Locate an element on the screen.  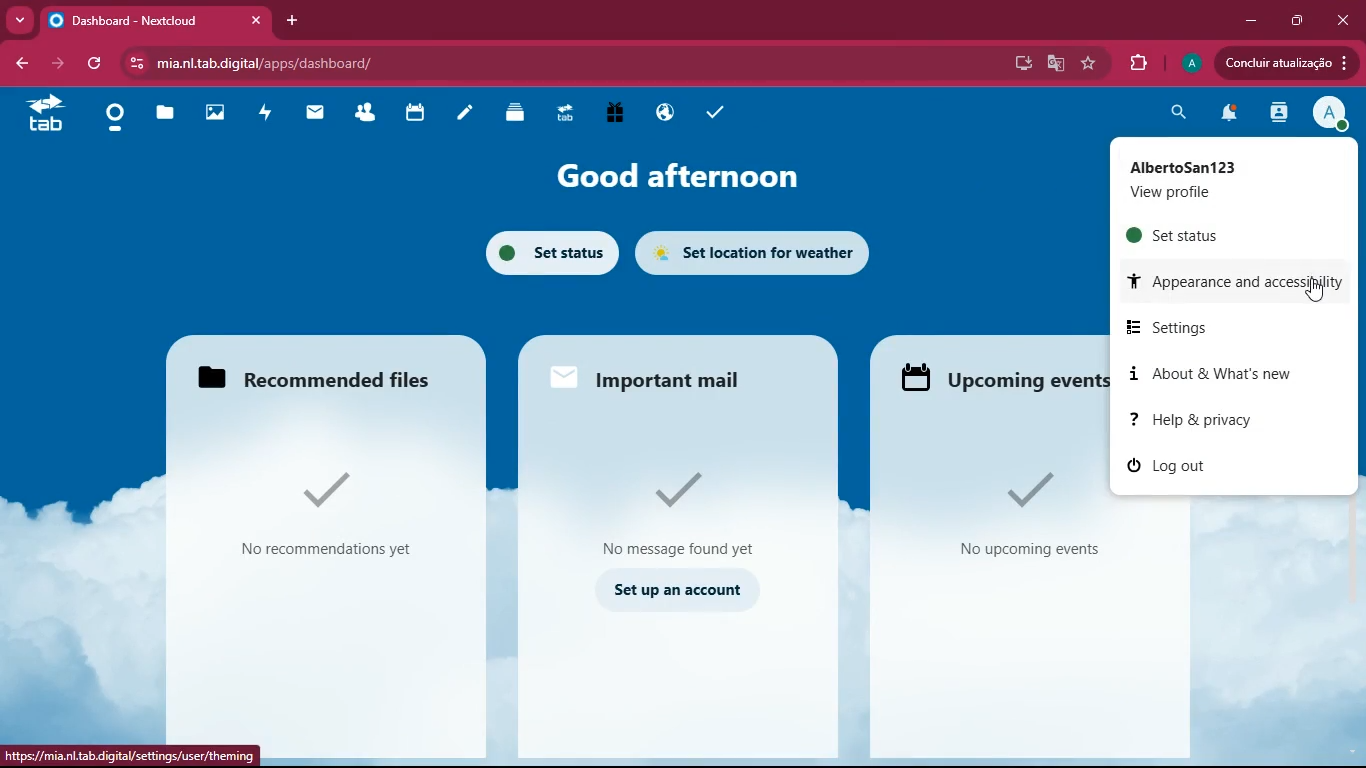
help is located at coordinates (1213, 418).